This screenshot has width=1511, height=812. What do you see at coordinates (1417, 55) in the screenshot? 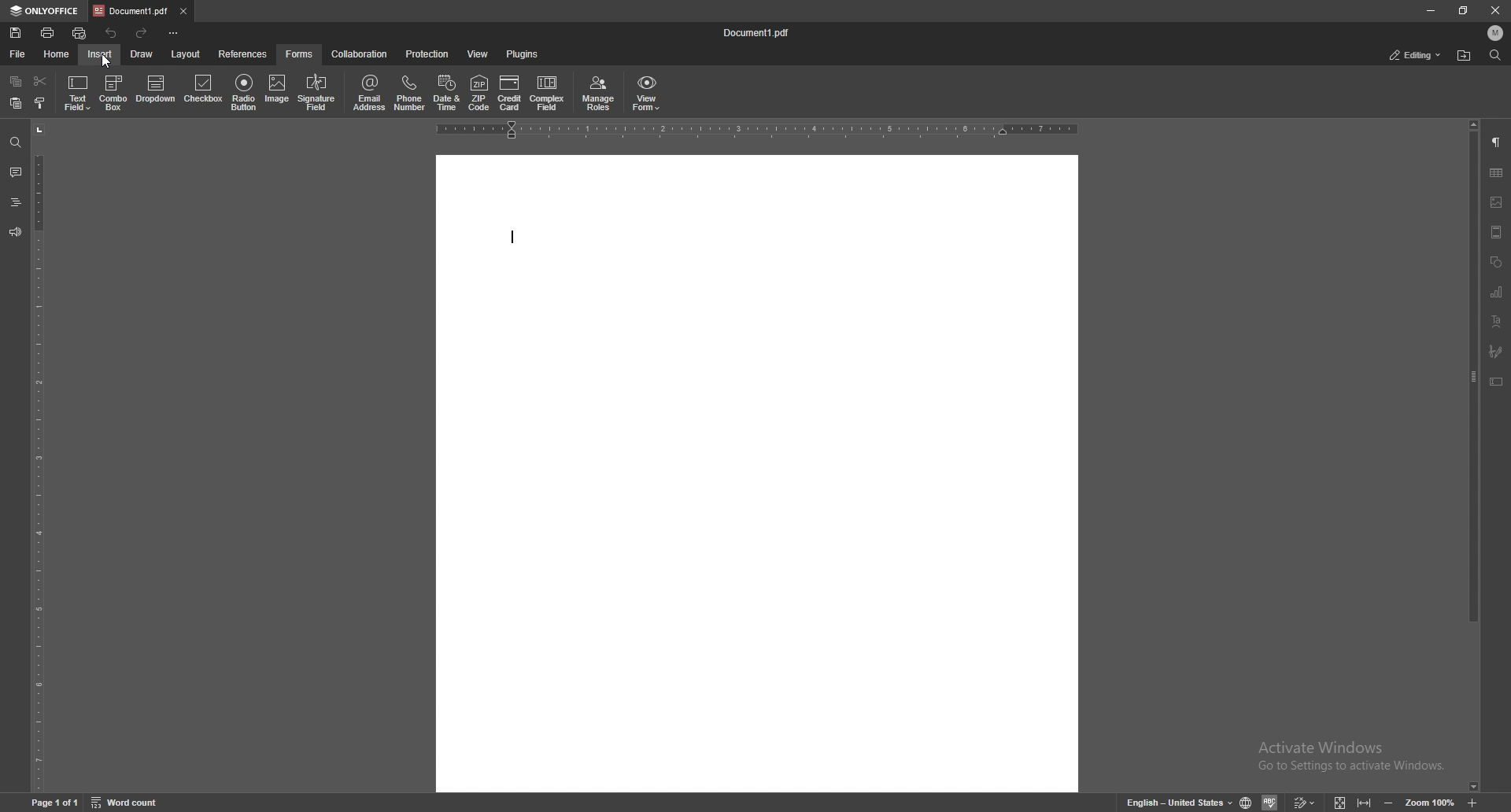
I see `status` at bounding box center [1417, 55].